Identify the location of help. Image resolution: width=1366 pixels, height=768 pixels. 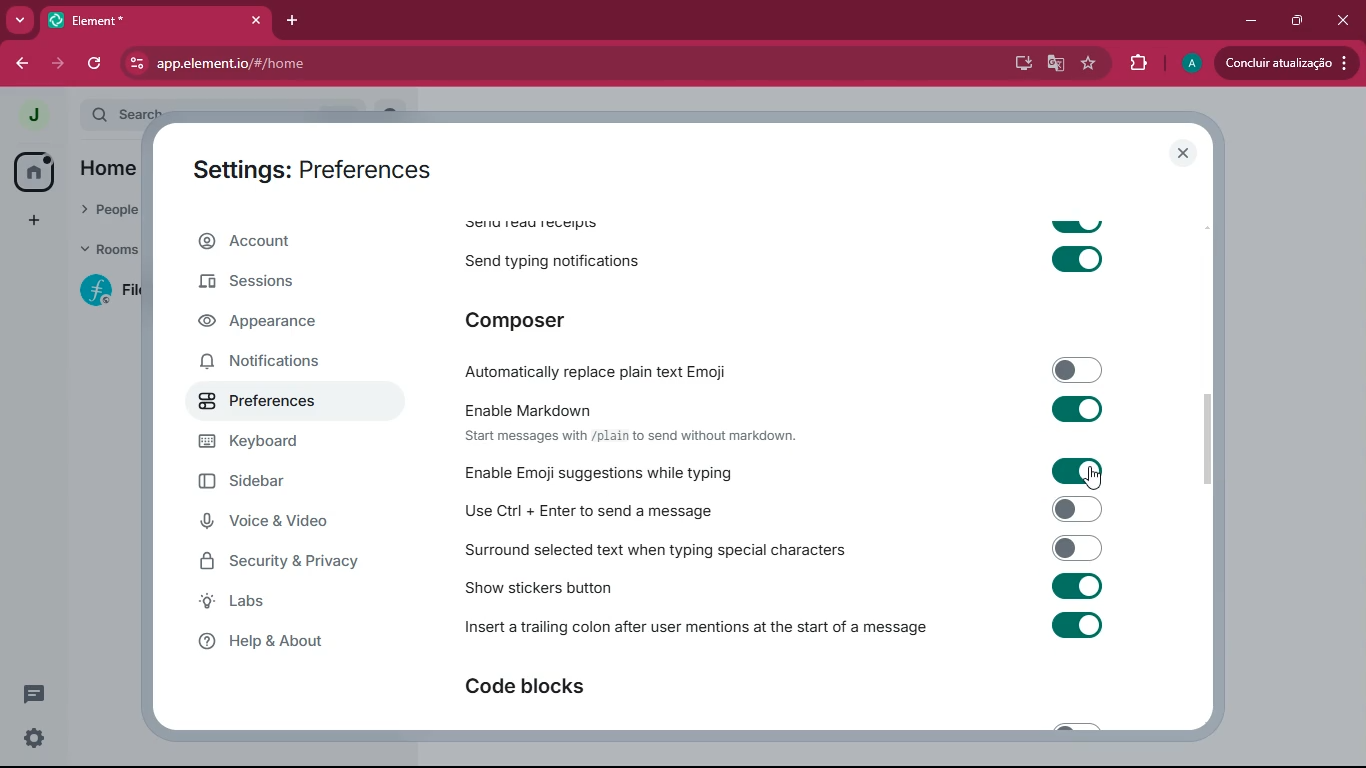
(277, 641).